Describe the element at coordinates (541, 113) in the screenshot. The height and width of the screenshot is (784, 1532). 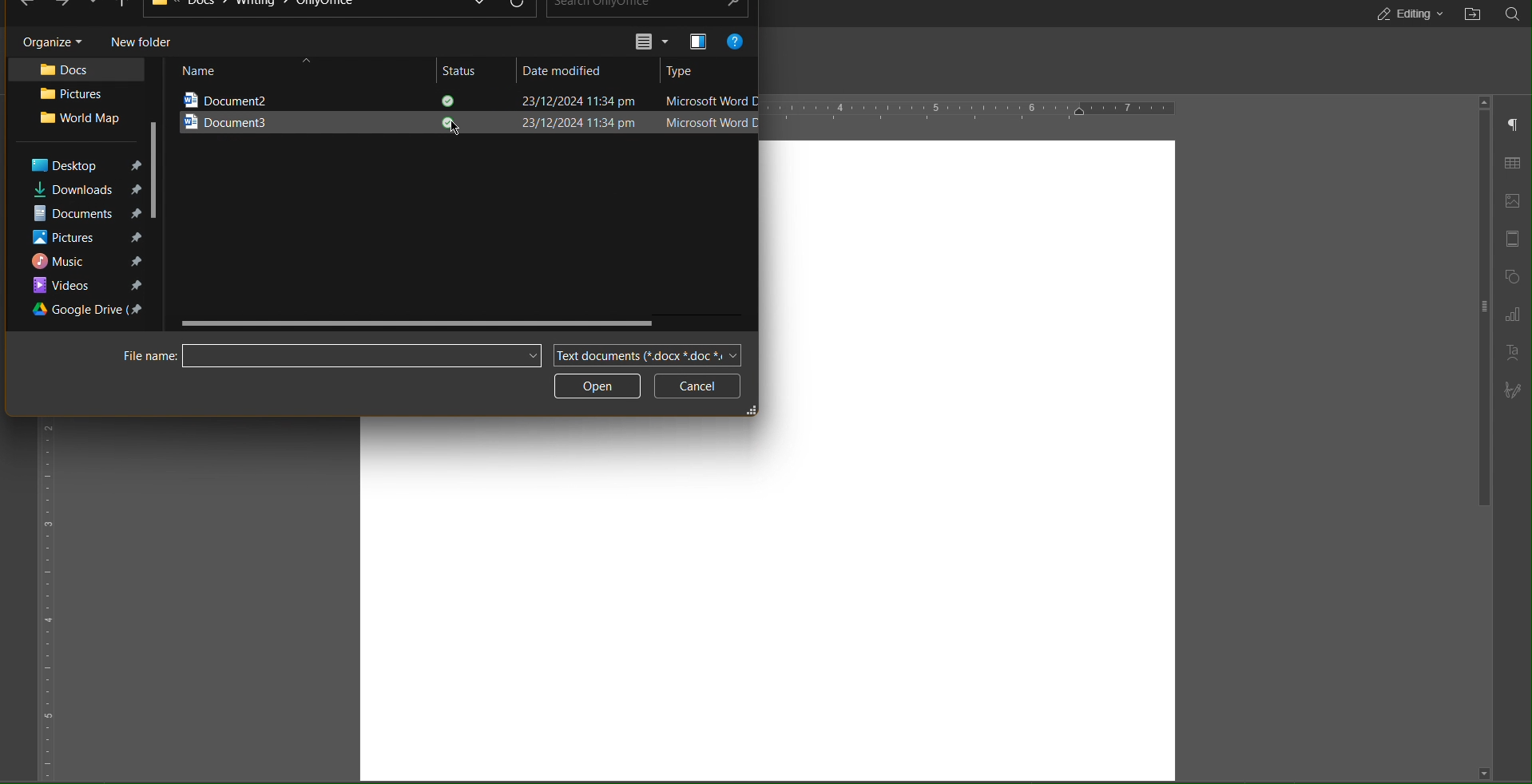
I see `23/12/2024 11:34 pm
23/12/2024 11:34 pm` at that location.